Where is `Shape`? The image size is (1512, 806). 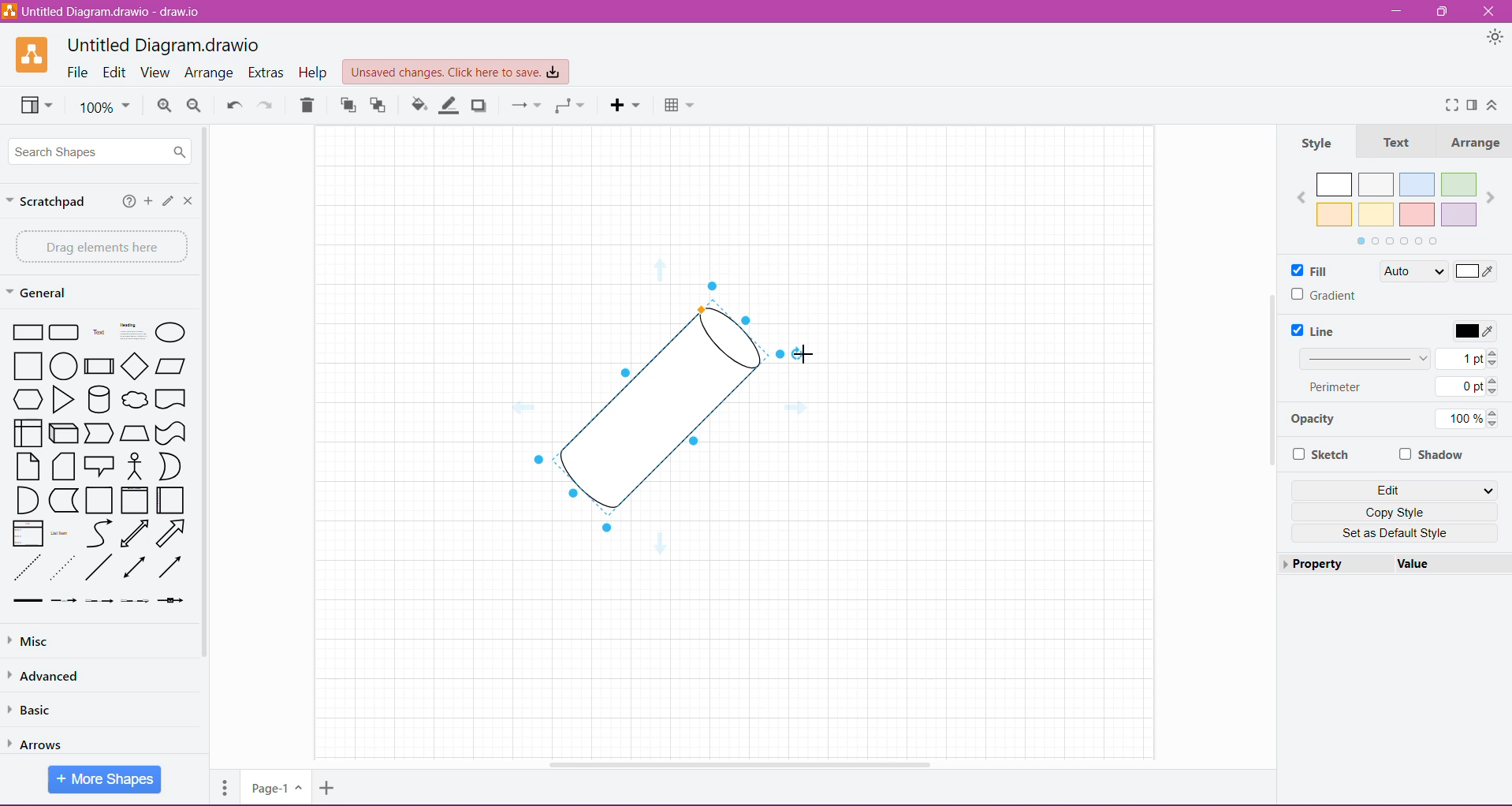
Shape is located at coordinates (658, 410).